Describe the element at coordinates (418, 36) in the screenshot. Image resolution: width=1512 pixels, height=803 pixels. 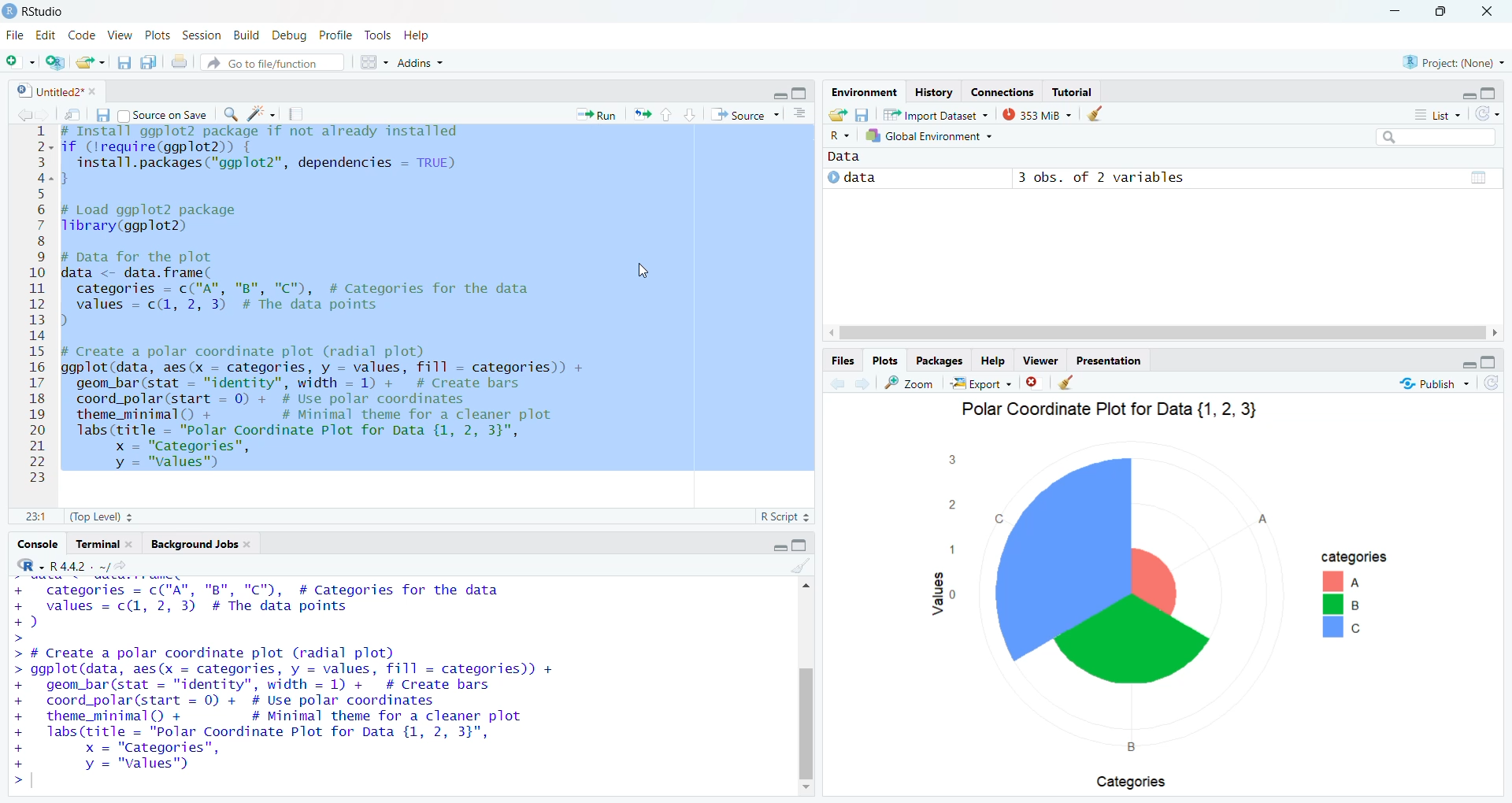
I see `Help` at that location.